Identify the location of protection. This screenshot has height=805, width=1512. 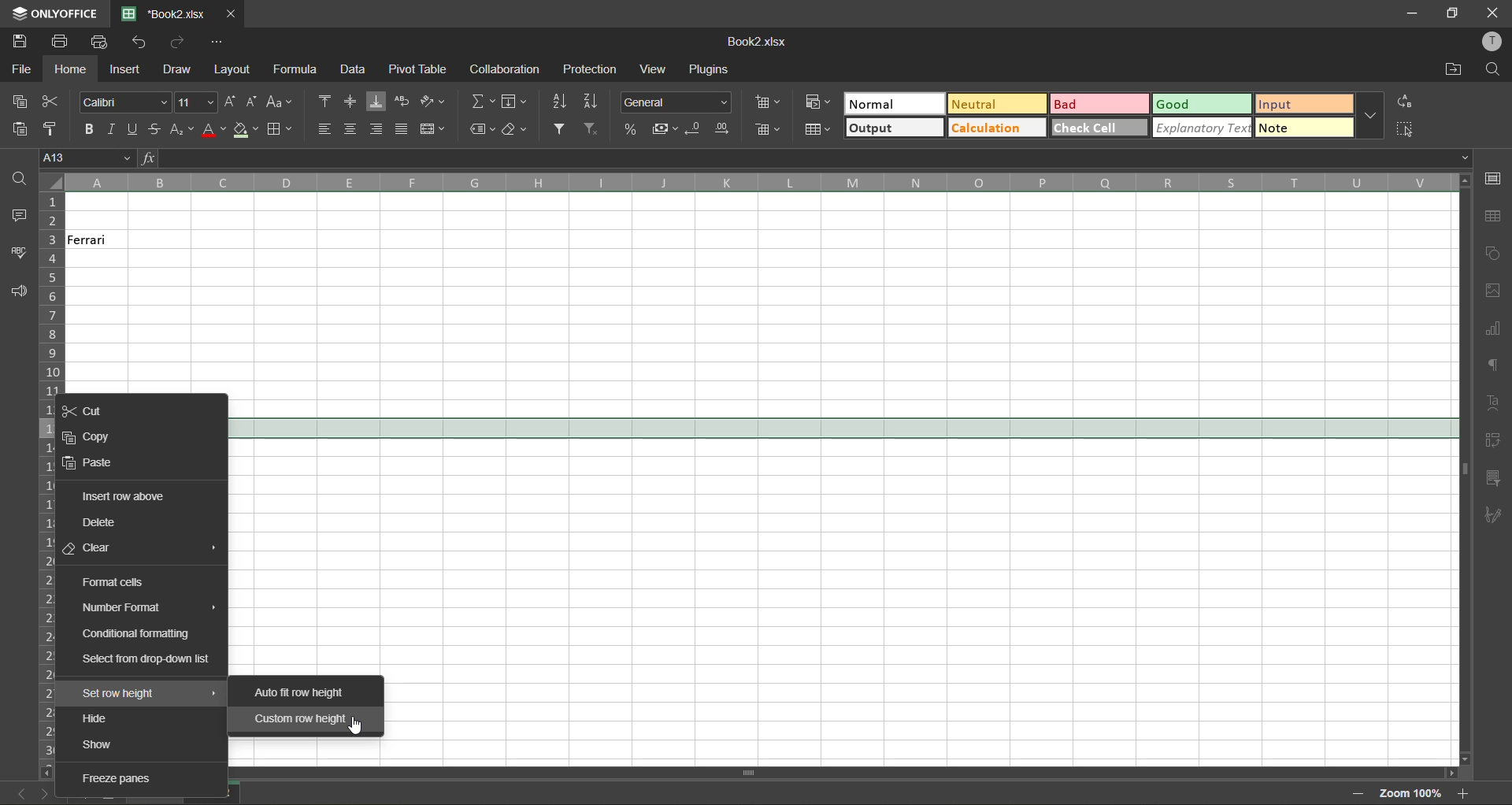
(593, 70).